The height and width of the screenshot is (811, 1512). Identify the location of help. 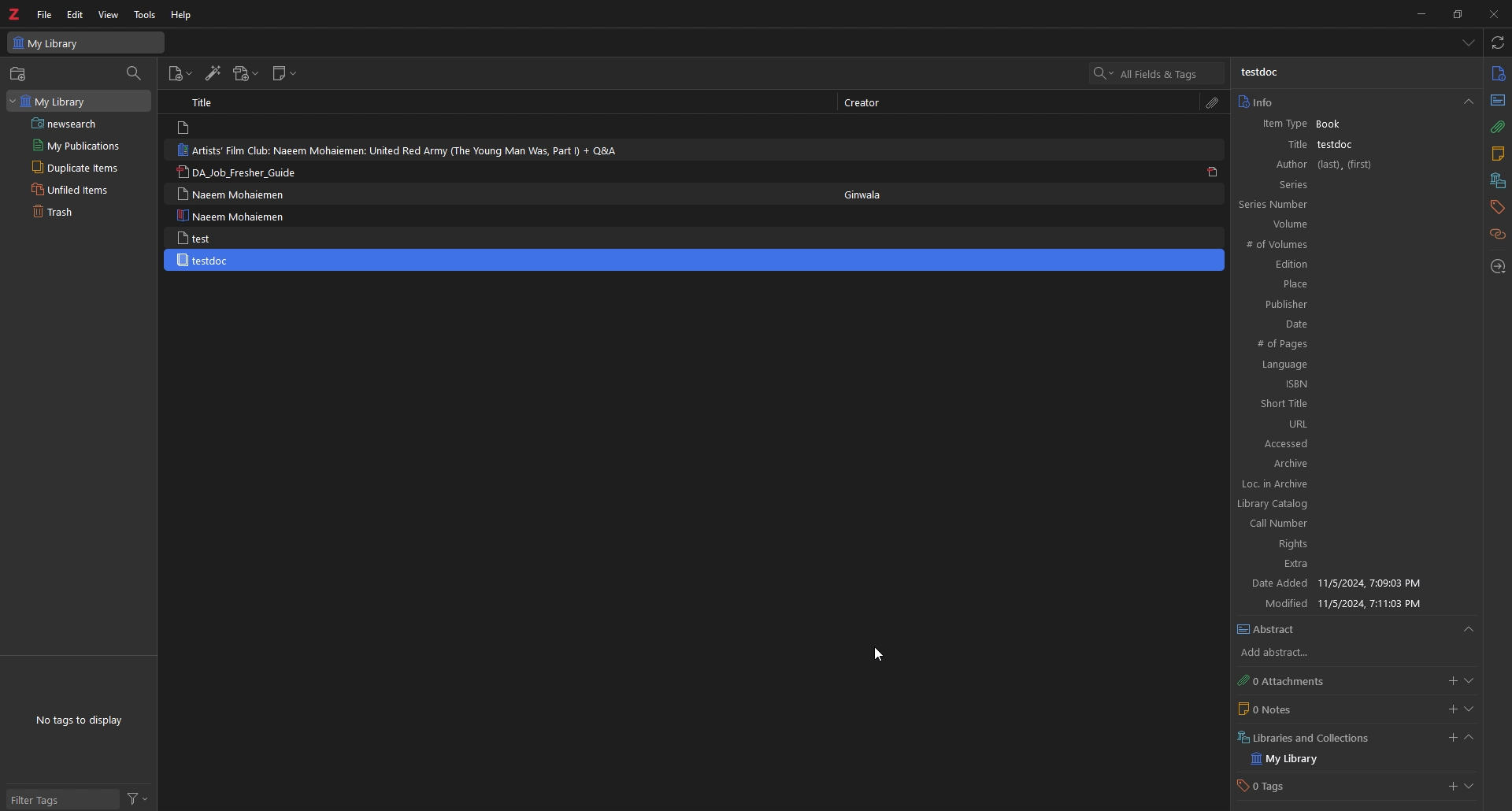
(183, 14).